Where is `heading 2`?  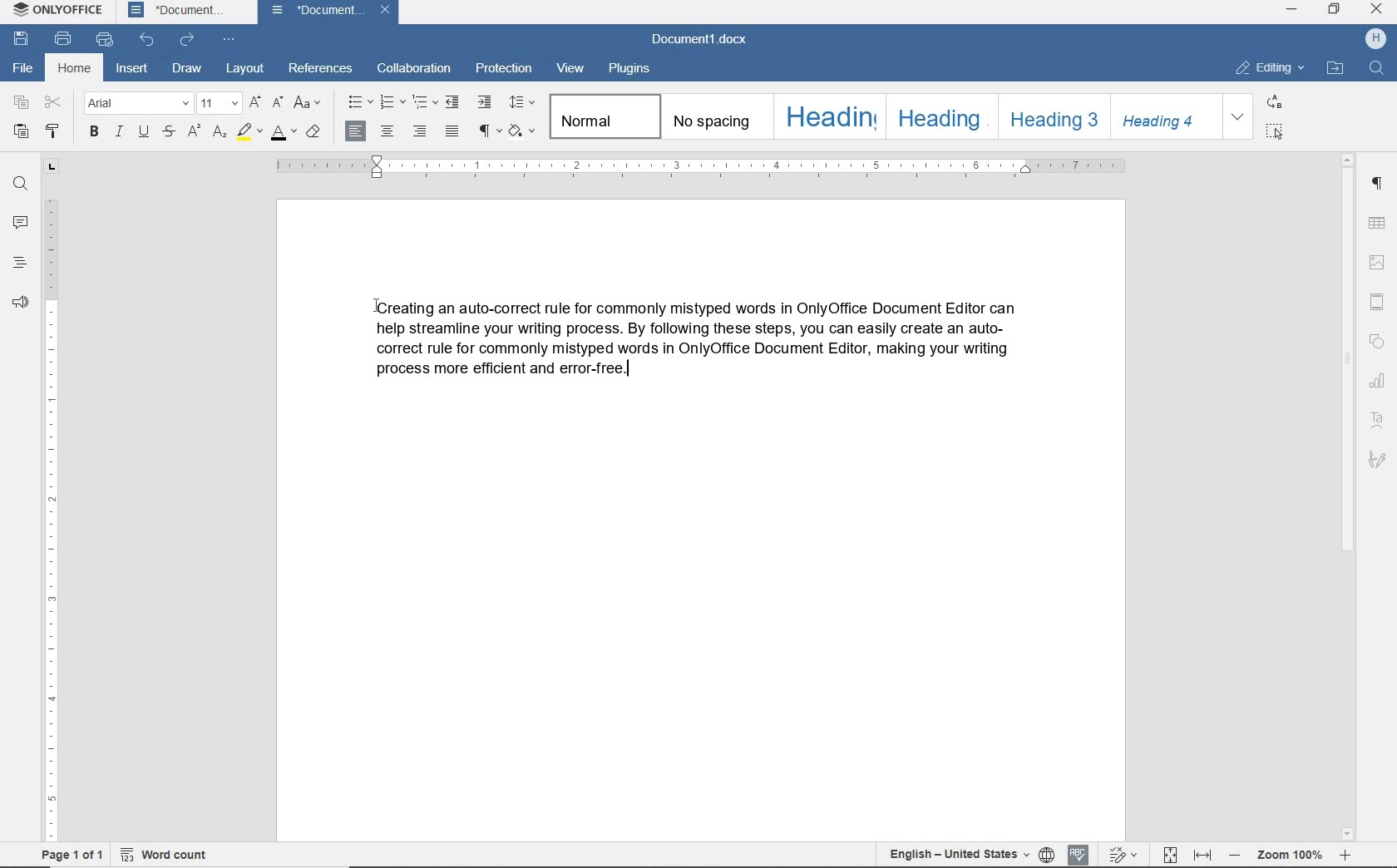
heading 2 is located at coordinates (940, 117).